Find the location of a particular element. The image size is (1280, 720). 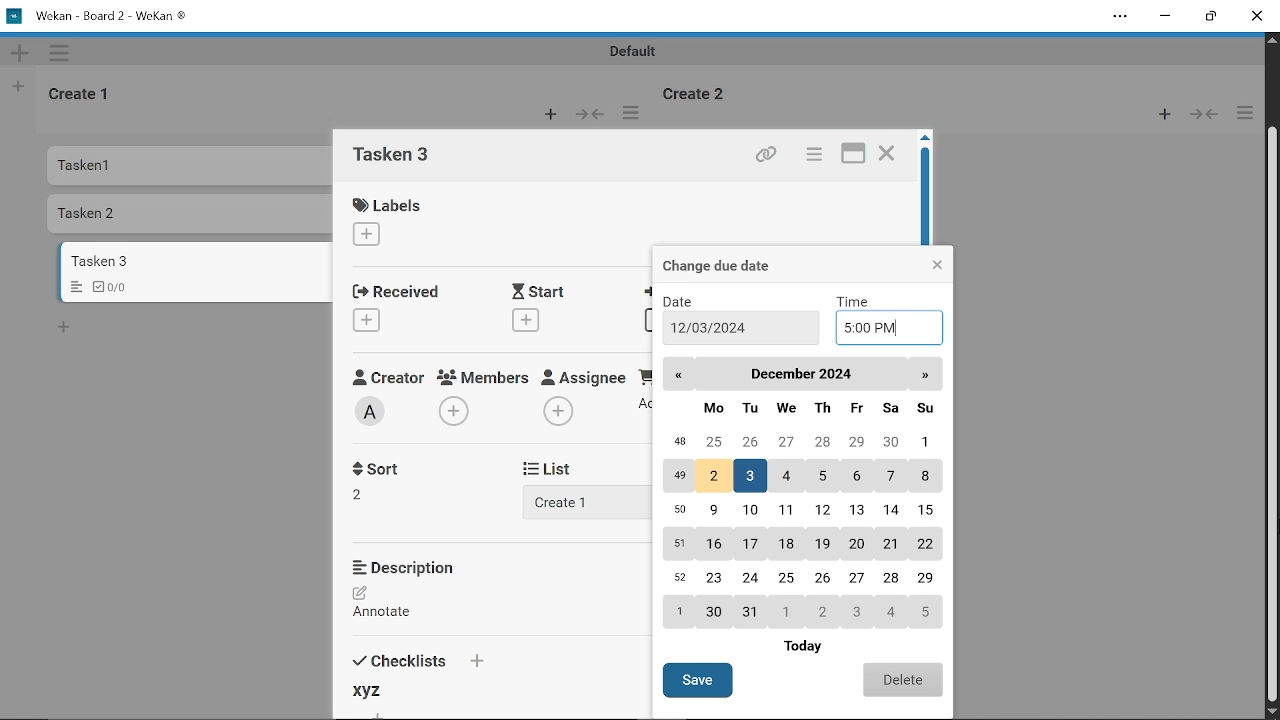

List is located at coordinates (560, 468).